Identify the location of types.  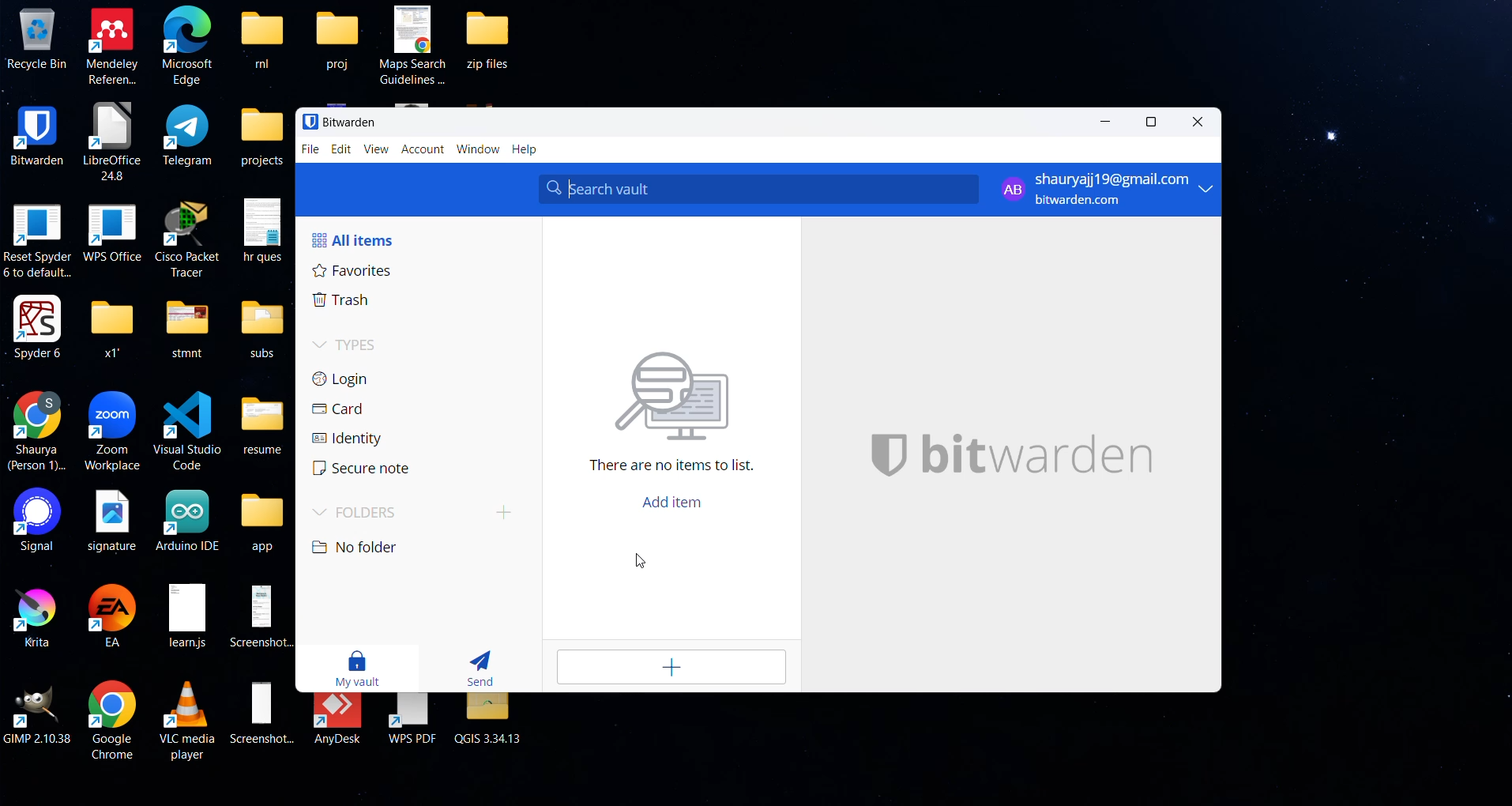
(369, 345).